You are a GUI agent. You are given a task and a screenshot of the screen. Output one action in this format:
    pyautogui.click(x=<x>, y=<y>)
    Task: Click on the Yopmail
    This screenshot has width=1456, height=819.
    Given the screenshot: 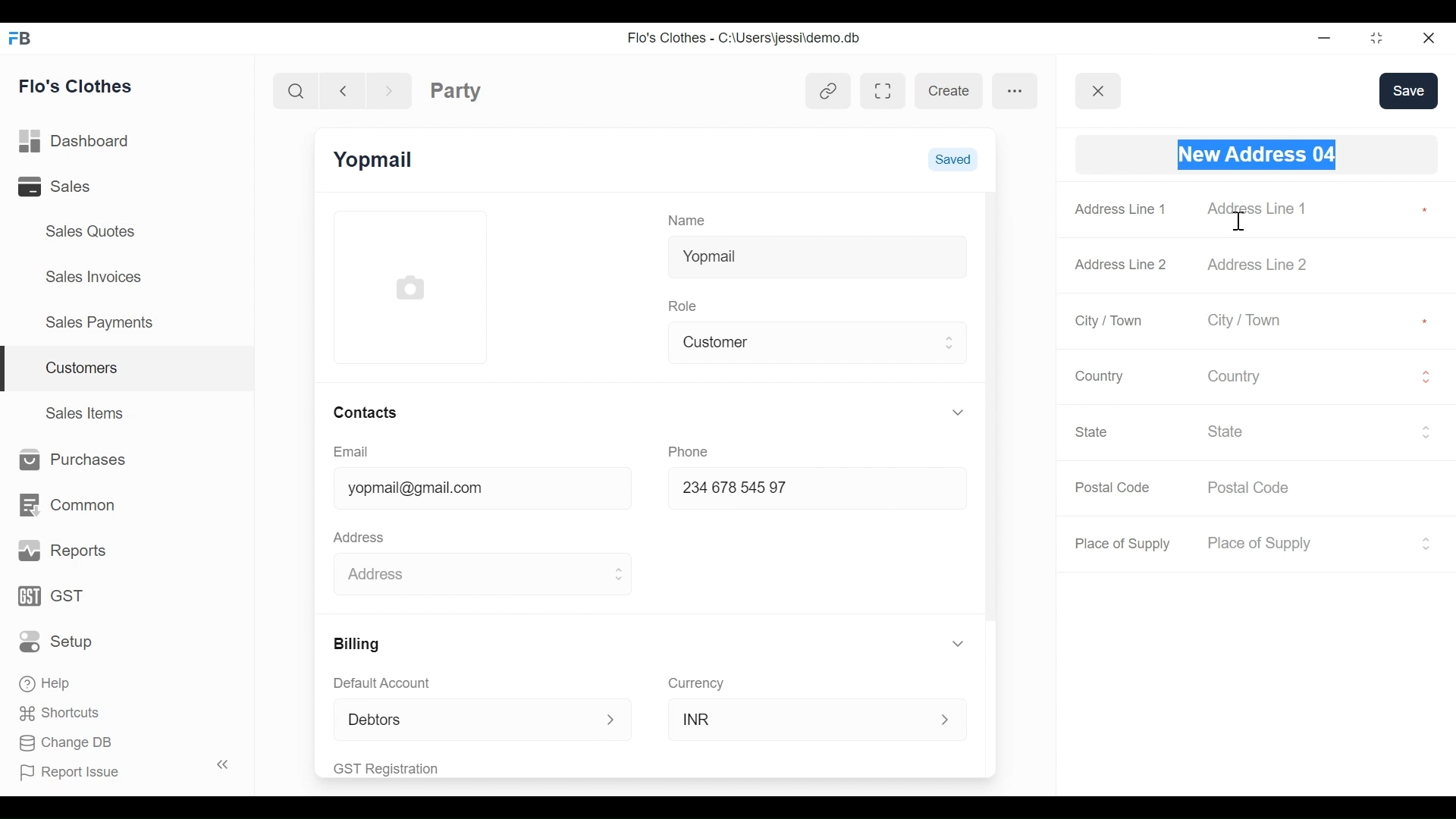 What is the action you would take?
    pyautogui.click(x=817, y=254)
    